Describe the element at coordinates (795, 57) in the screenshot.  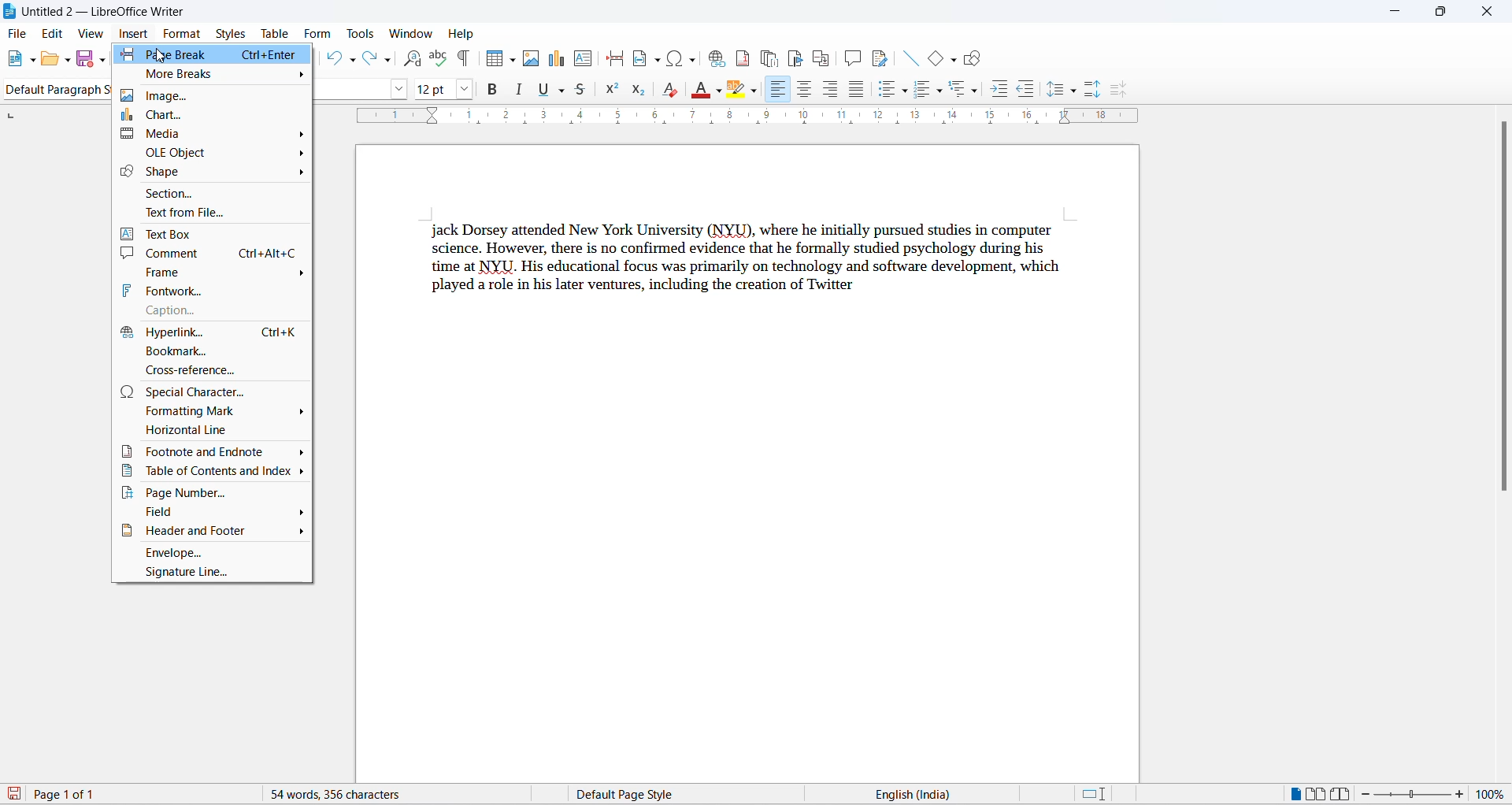
I see `insert bookmark` at that location.